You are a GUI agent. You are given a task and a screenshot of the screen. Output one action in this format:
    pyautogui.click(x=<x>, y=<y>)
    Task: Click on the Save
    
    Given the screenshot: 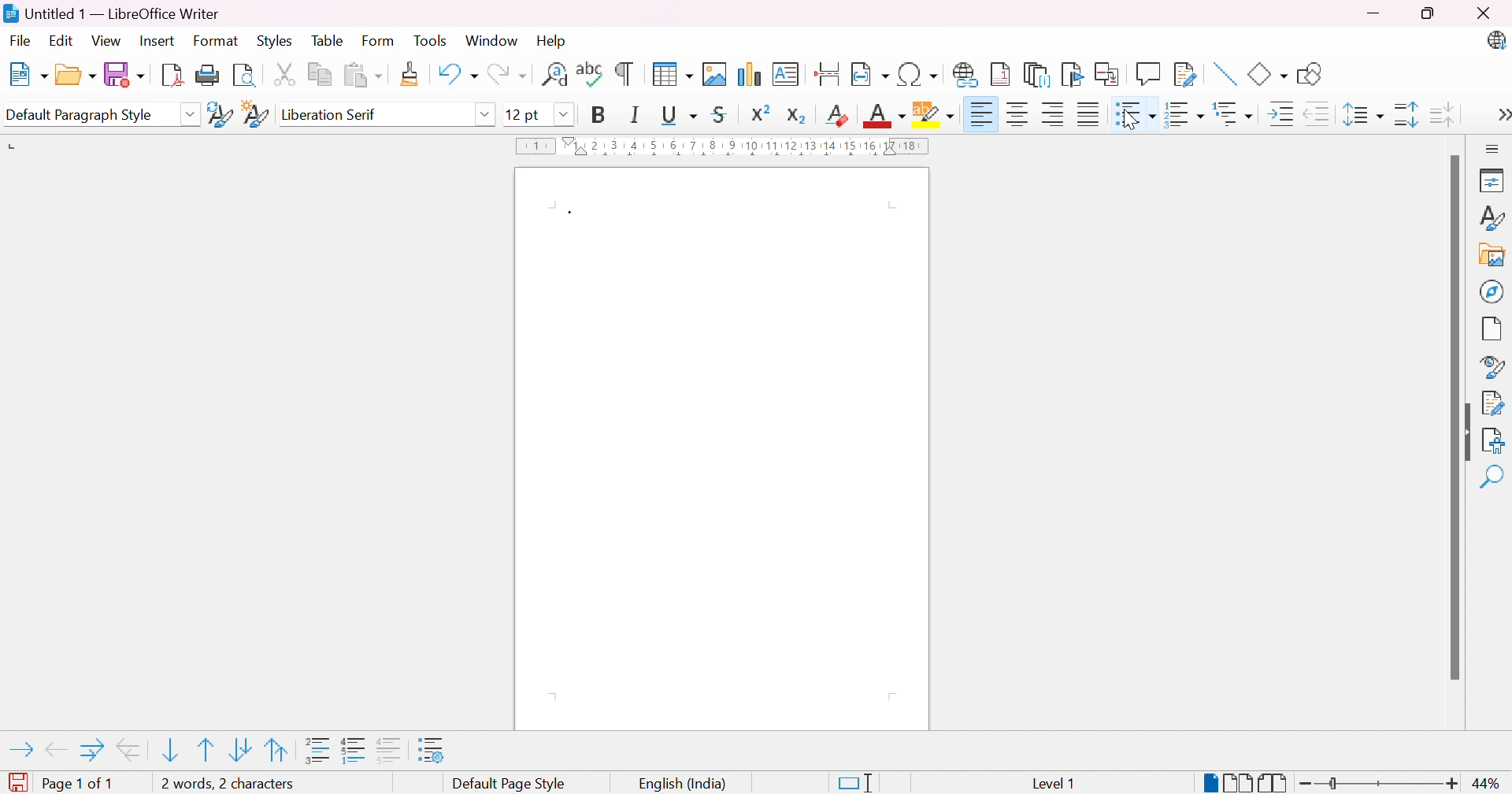 What is the action you would take?
    pyautogui.click(x=125, y=75)
    